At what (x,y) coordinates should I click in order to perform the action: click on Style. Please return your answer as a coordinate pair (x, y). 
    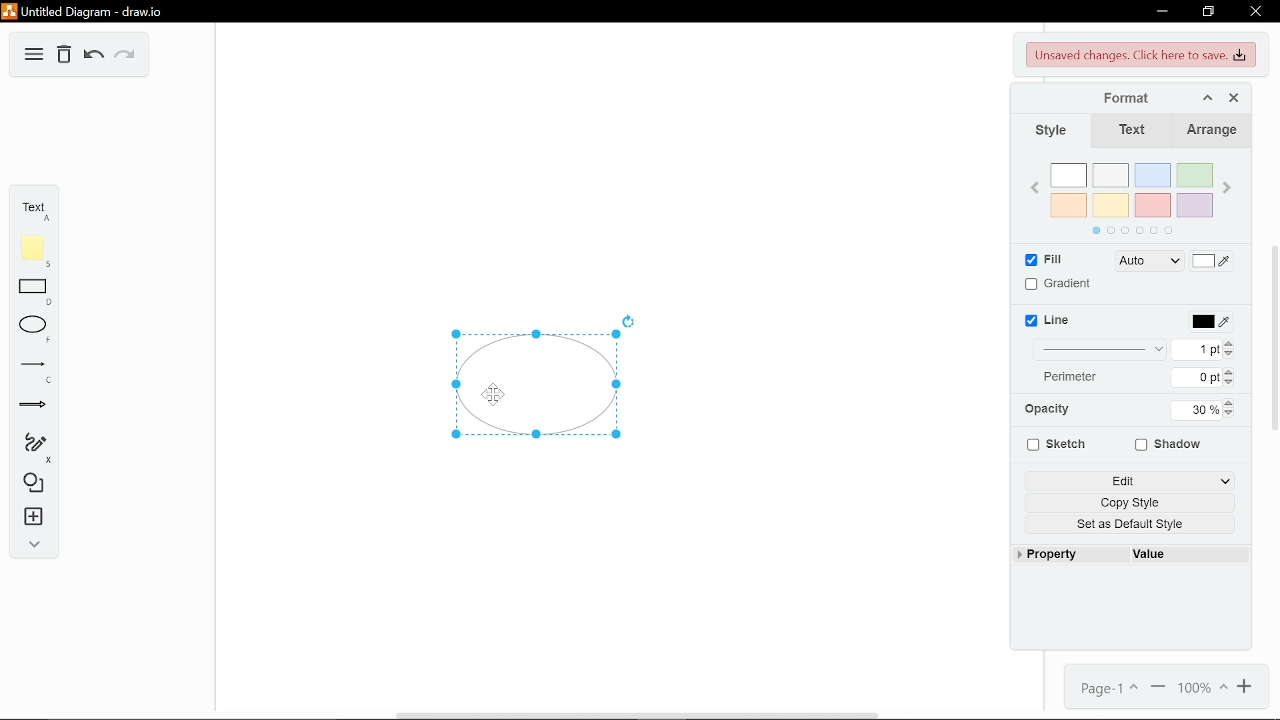
    Looking at the image, I should click on (1049, 132).